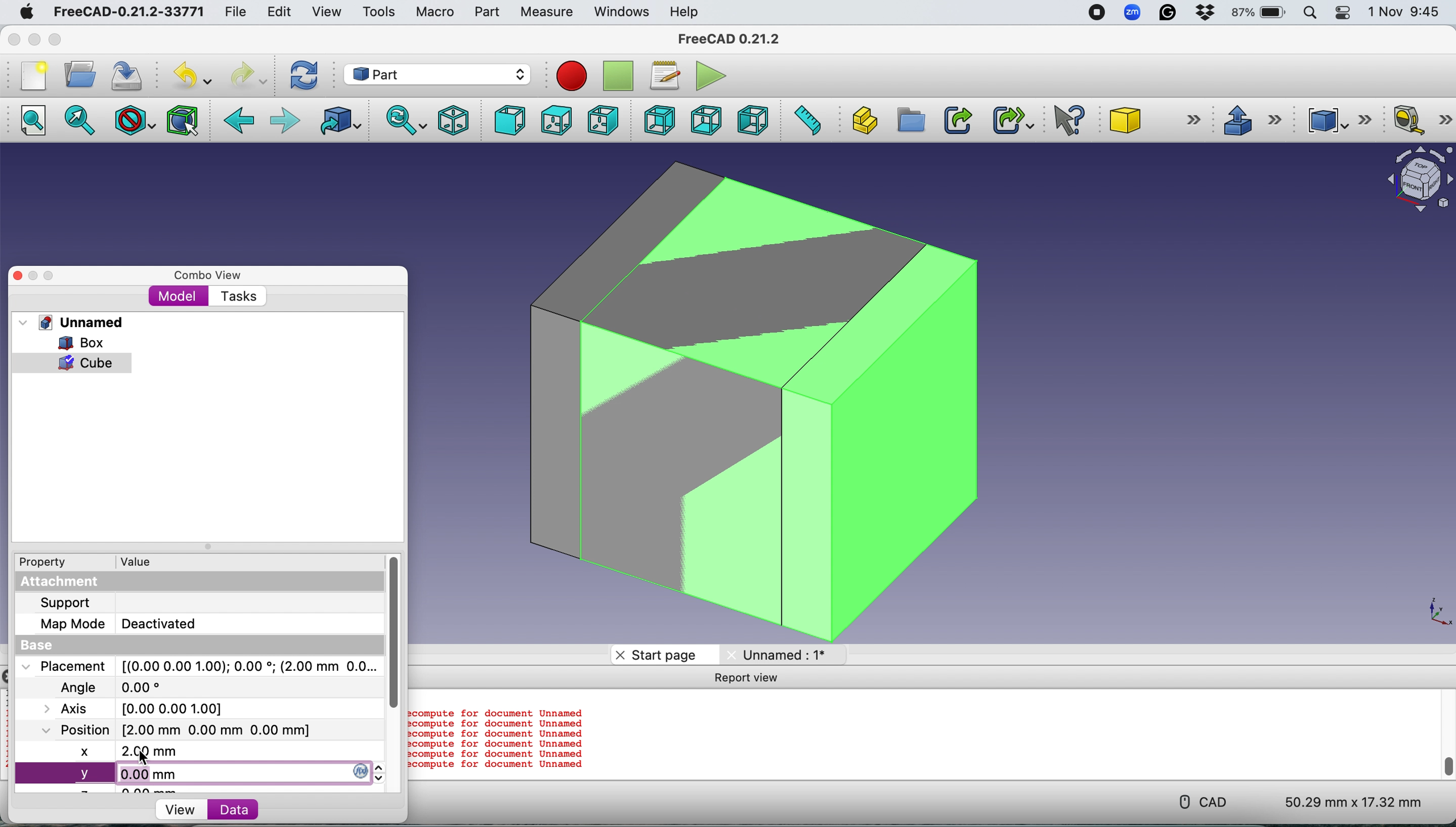  What do you see at coordinates (198, 772) in the screenshot?
I see `y axis selected` at bounding box center [198, 772].